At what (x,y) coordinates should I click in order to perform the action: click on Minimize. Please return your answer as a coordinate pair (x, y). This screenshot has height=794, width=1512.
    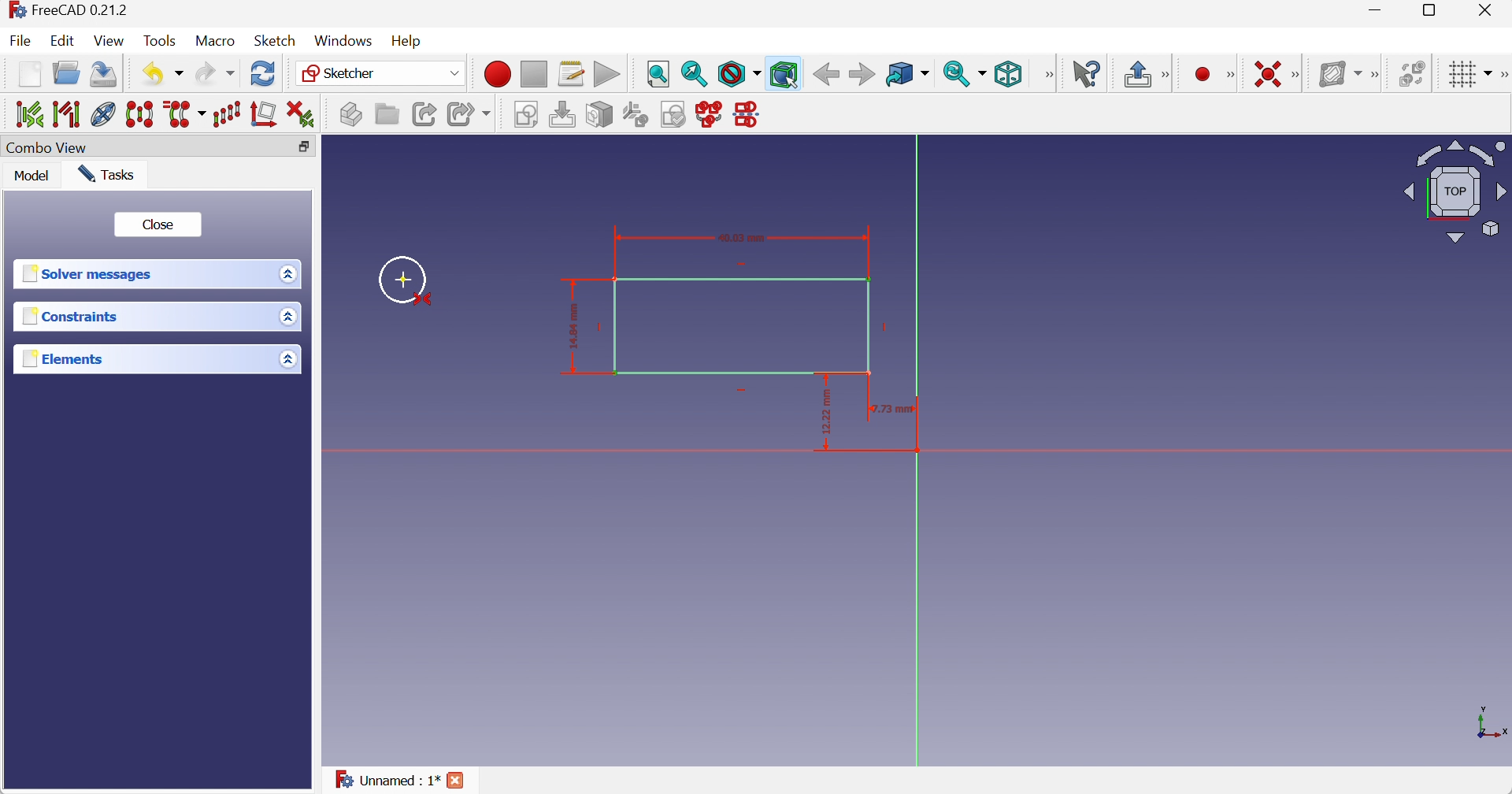
    Looking at the image, I should click on (1378, 10).